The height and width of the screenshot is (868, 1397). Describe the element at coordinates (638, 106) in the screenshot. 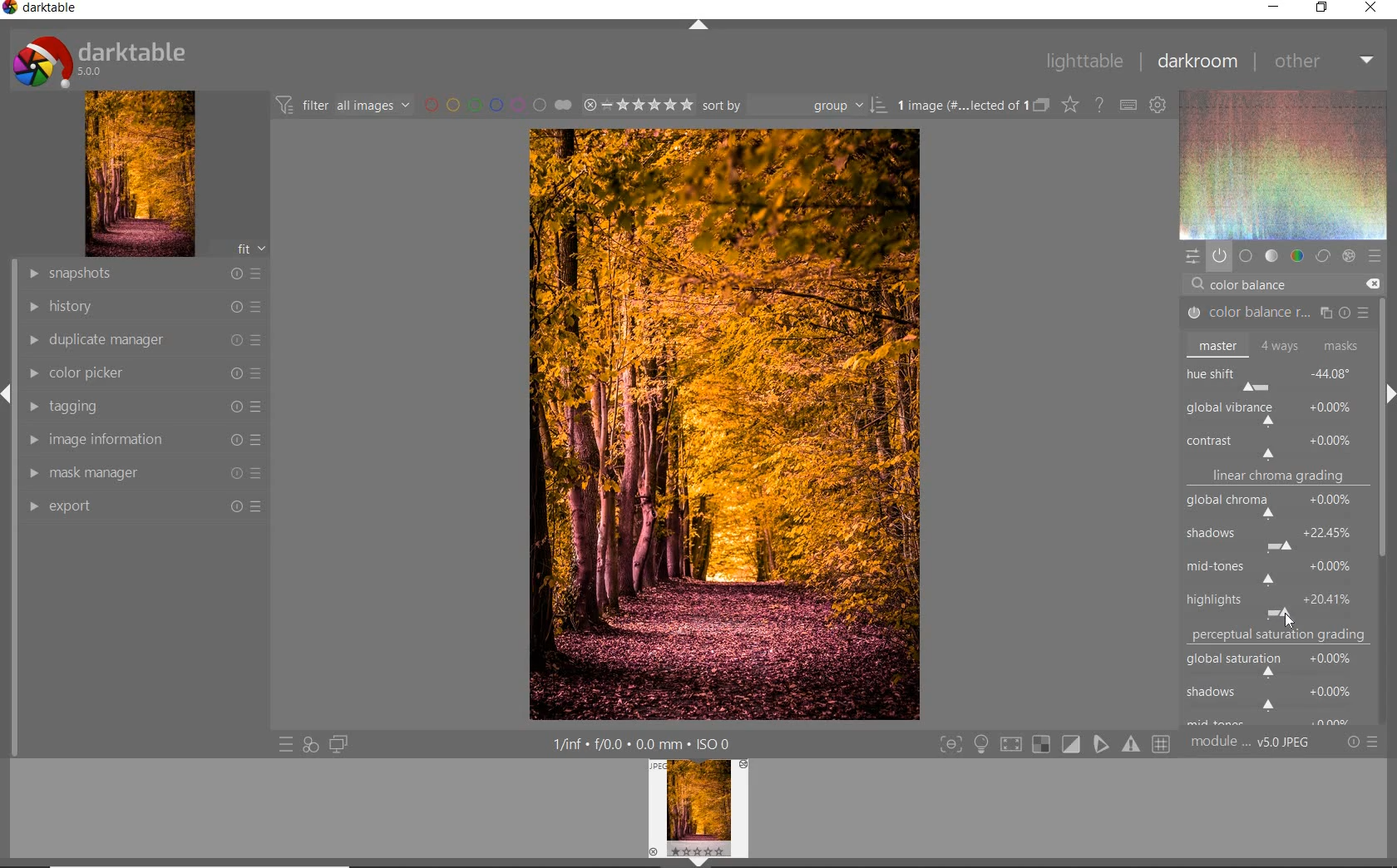

I see `selected image range rating` at that location.